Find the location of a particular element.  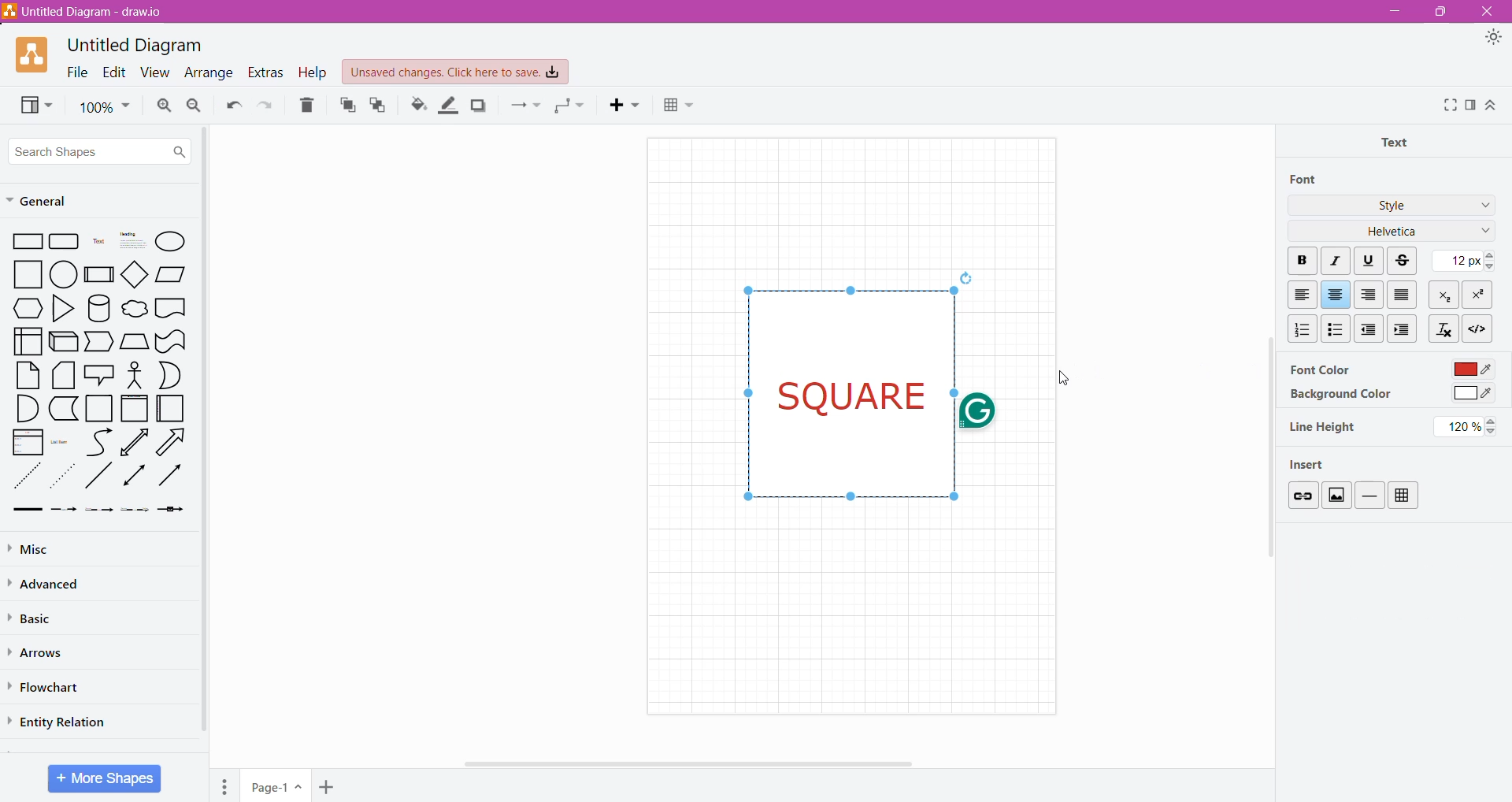

Superscript is located at coordinates (1477, 295).